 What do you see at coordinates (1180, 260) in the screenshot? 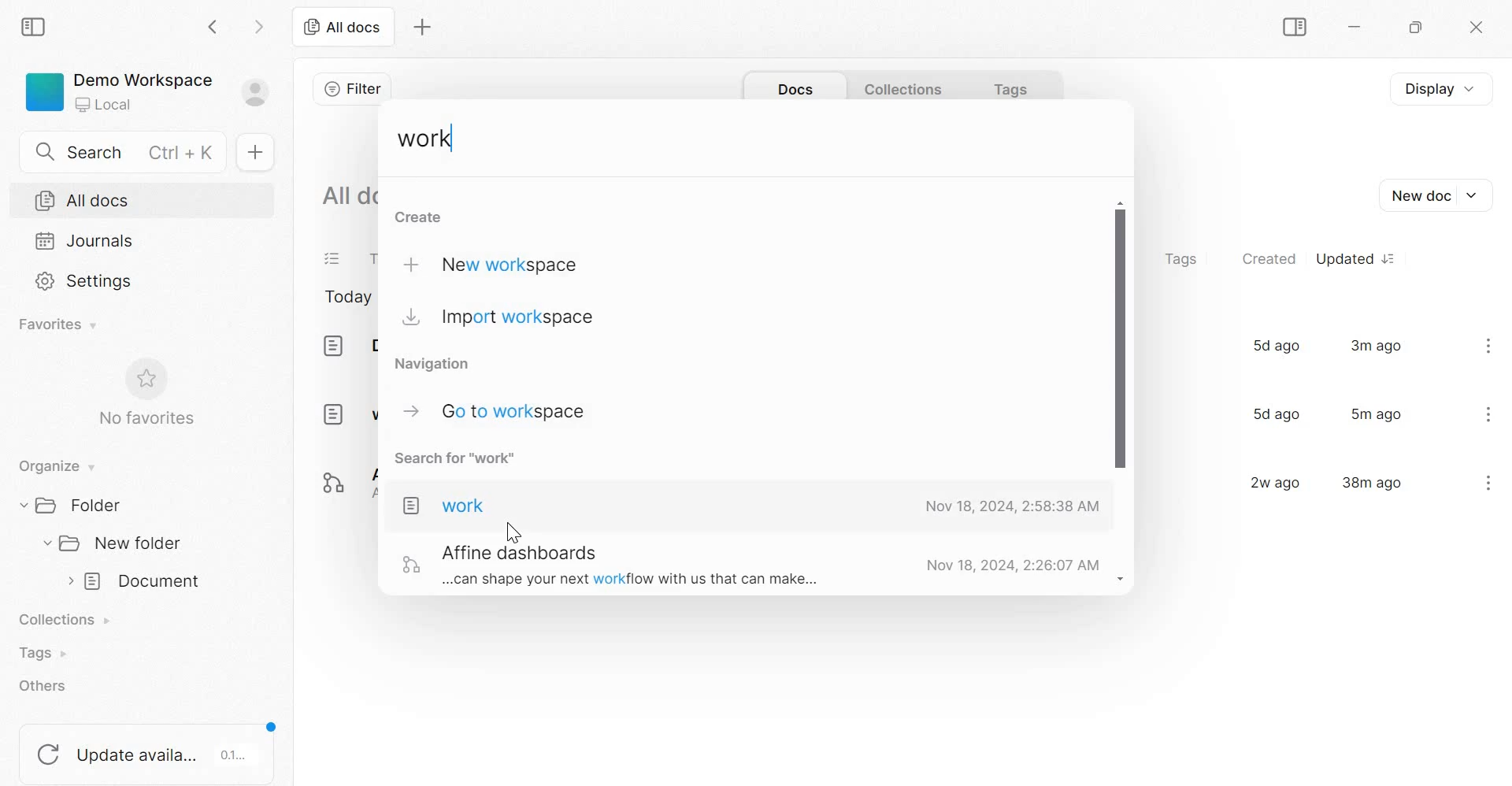
I see `Tags` at bounding box center [1180, 260].